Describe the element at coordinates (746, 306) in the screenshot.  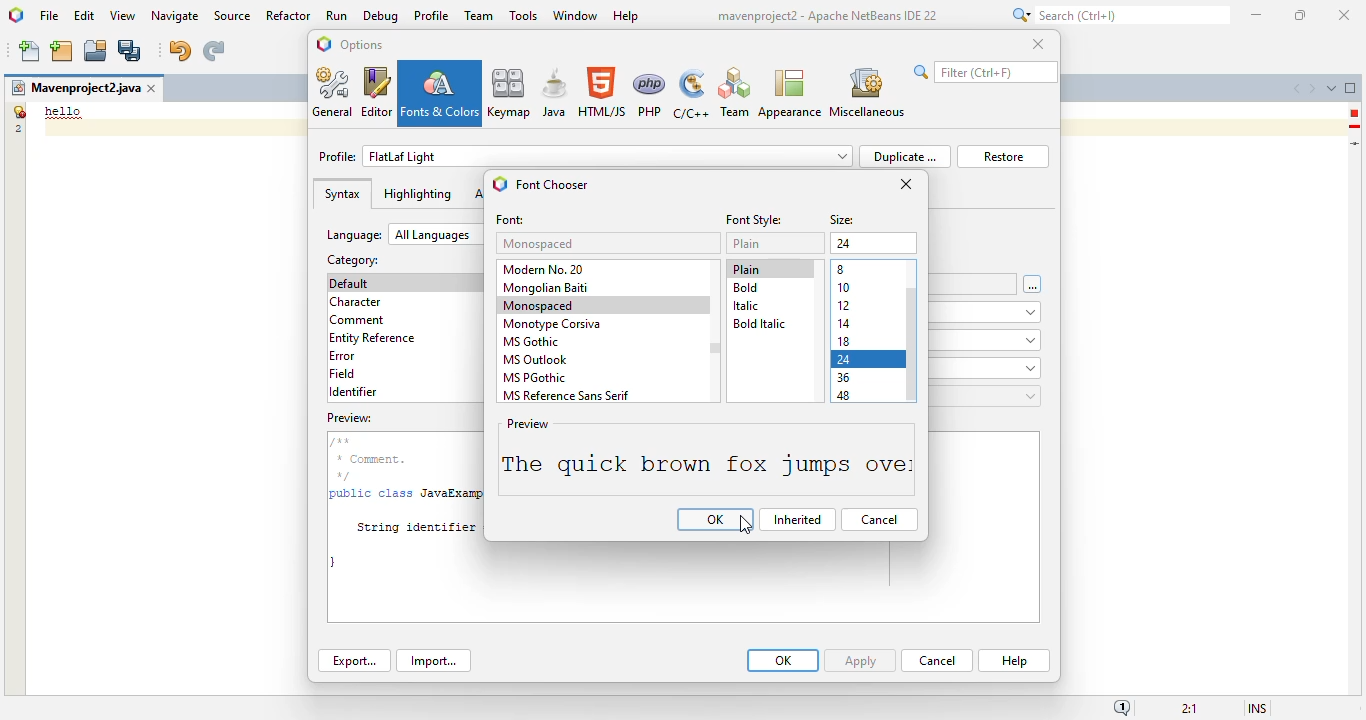
I see `italic` at that location.